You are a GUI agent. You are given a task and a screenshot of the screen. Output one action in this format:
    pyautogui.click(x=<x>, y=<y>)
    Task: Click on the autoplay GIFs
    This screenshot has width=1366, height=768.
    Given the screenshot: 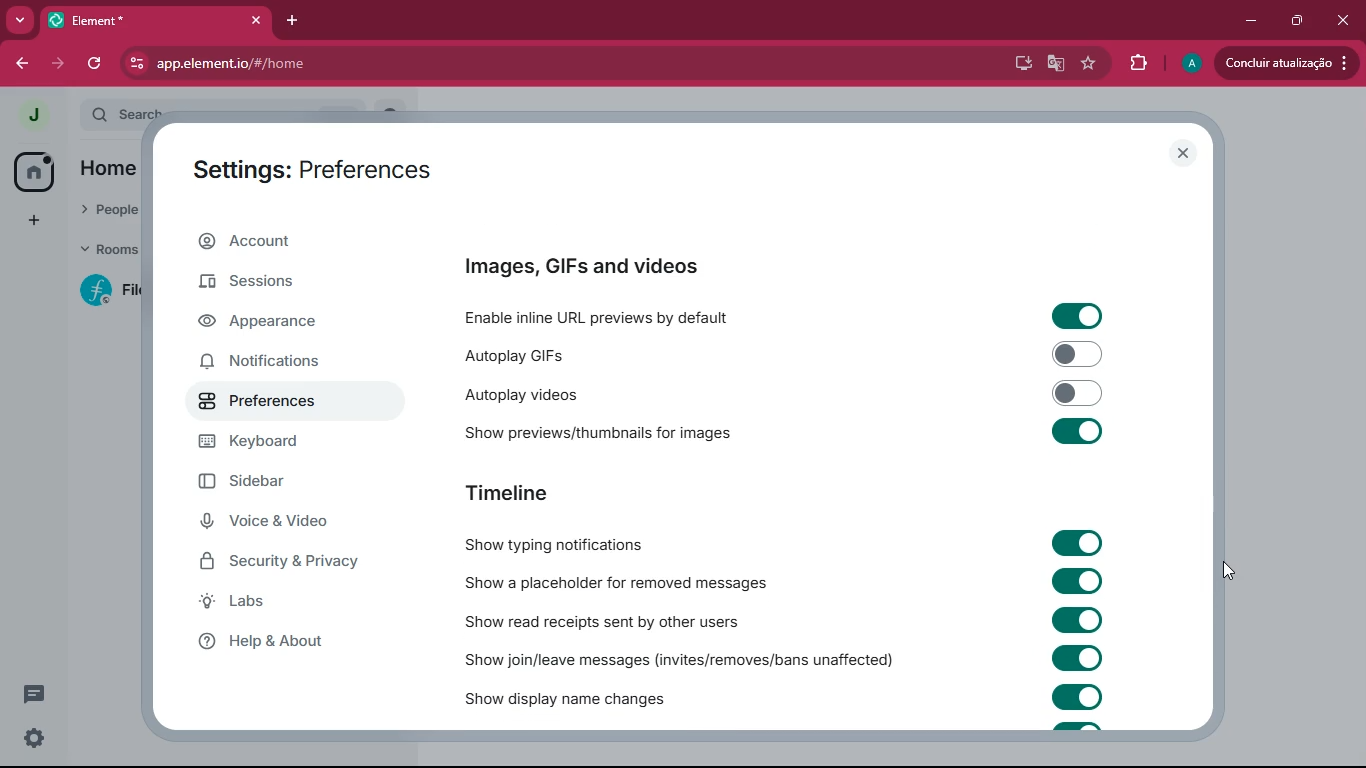 What is the action you would take?
    pyautogui.click(x=640, y=354)
    